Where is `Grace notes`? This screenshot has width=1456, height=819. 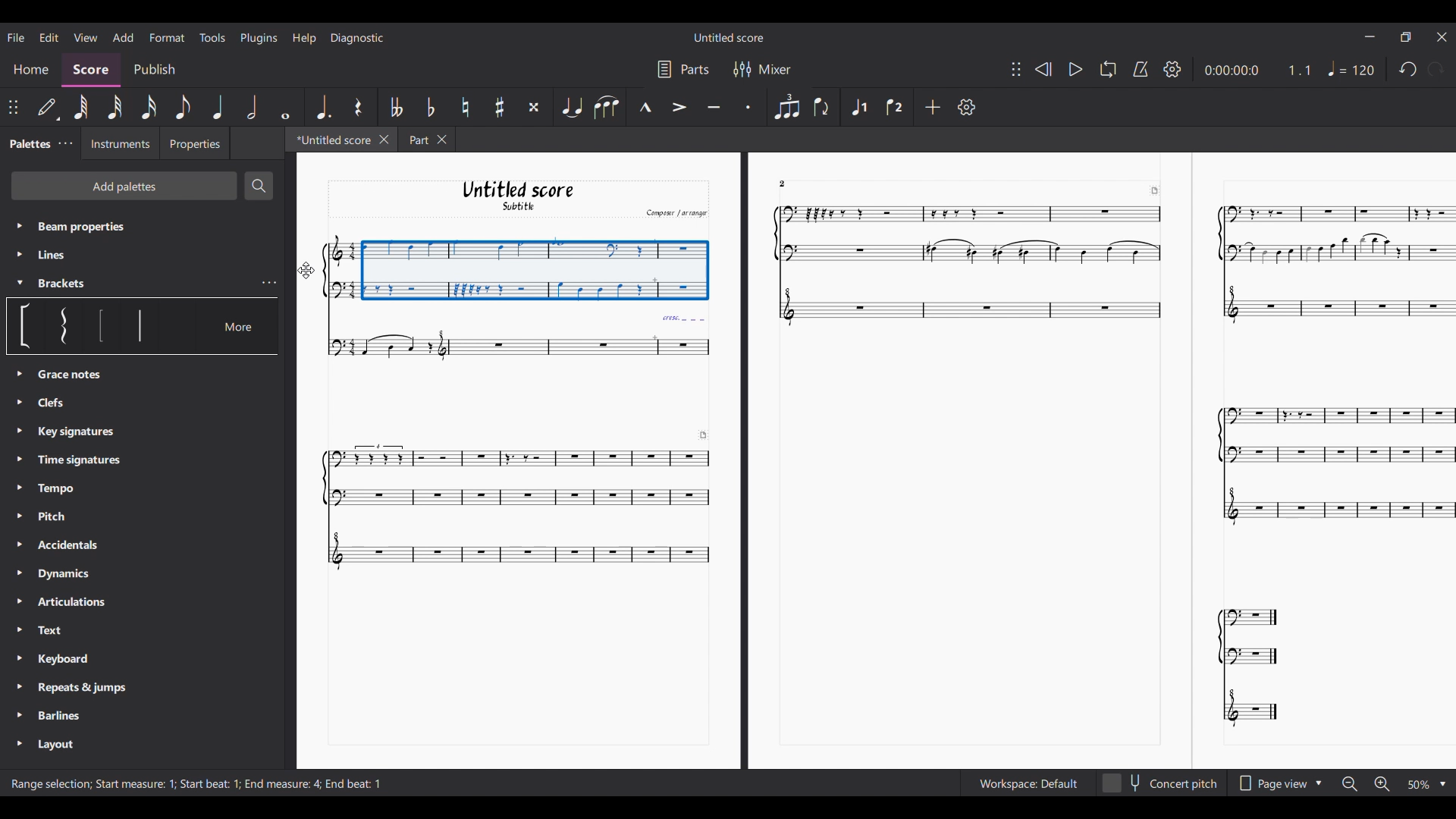
Grace notes is located at coordinates (57, 403).